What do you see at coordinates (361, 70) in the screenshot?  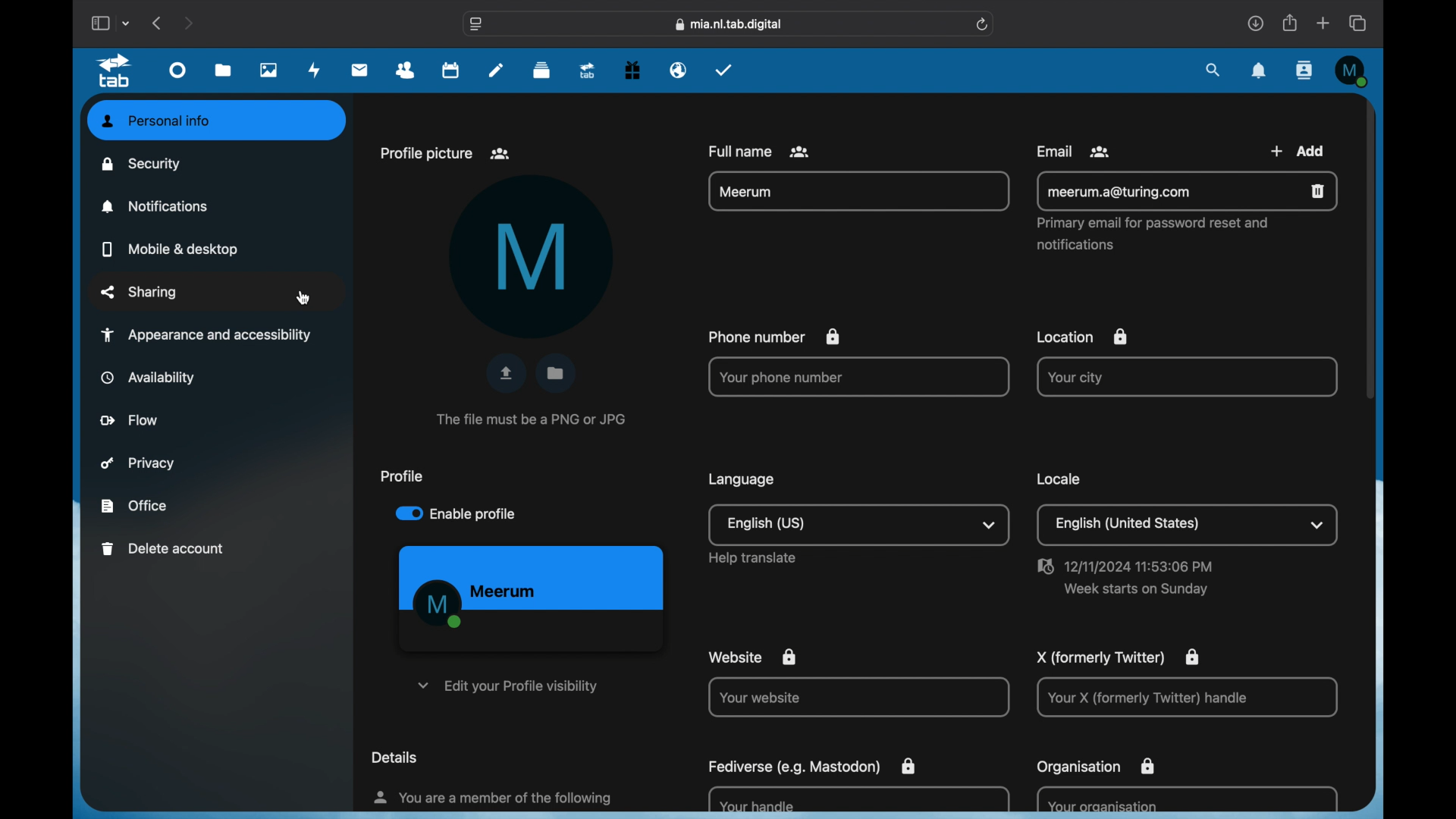 I see `mail` at bounding box center [361, 70].